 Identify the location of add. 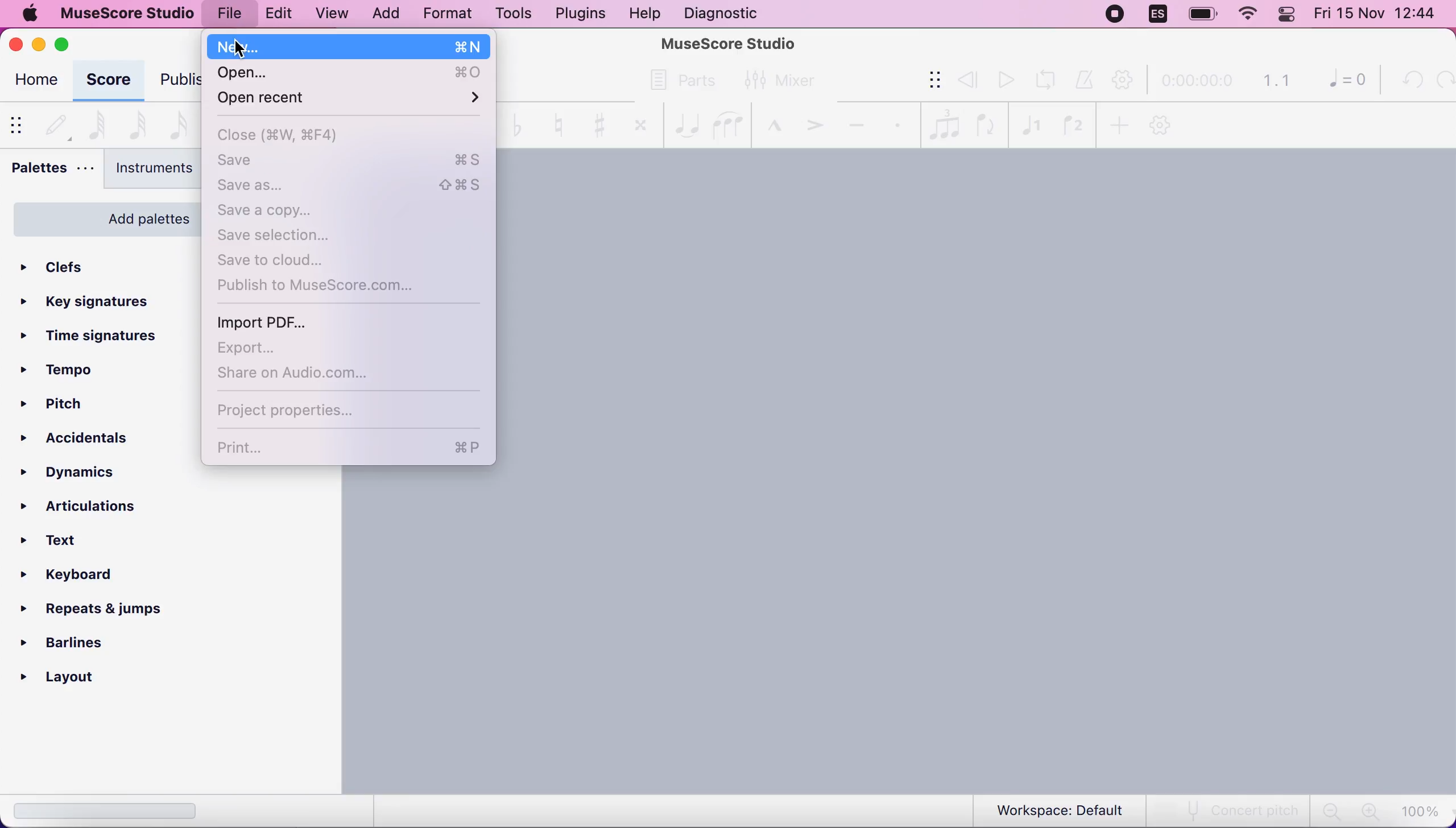
(385, 14).